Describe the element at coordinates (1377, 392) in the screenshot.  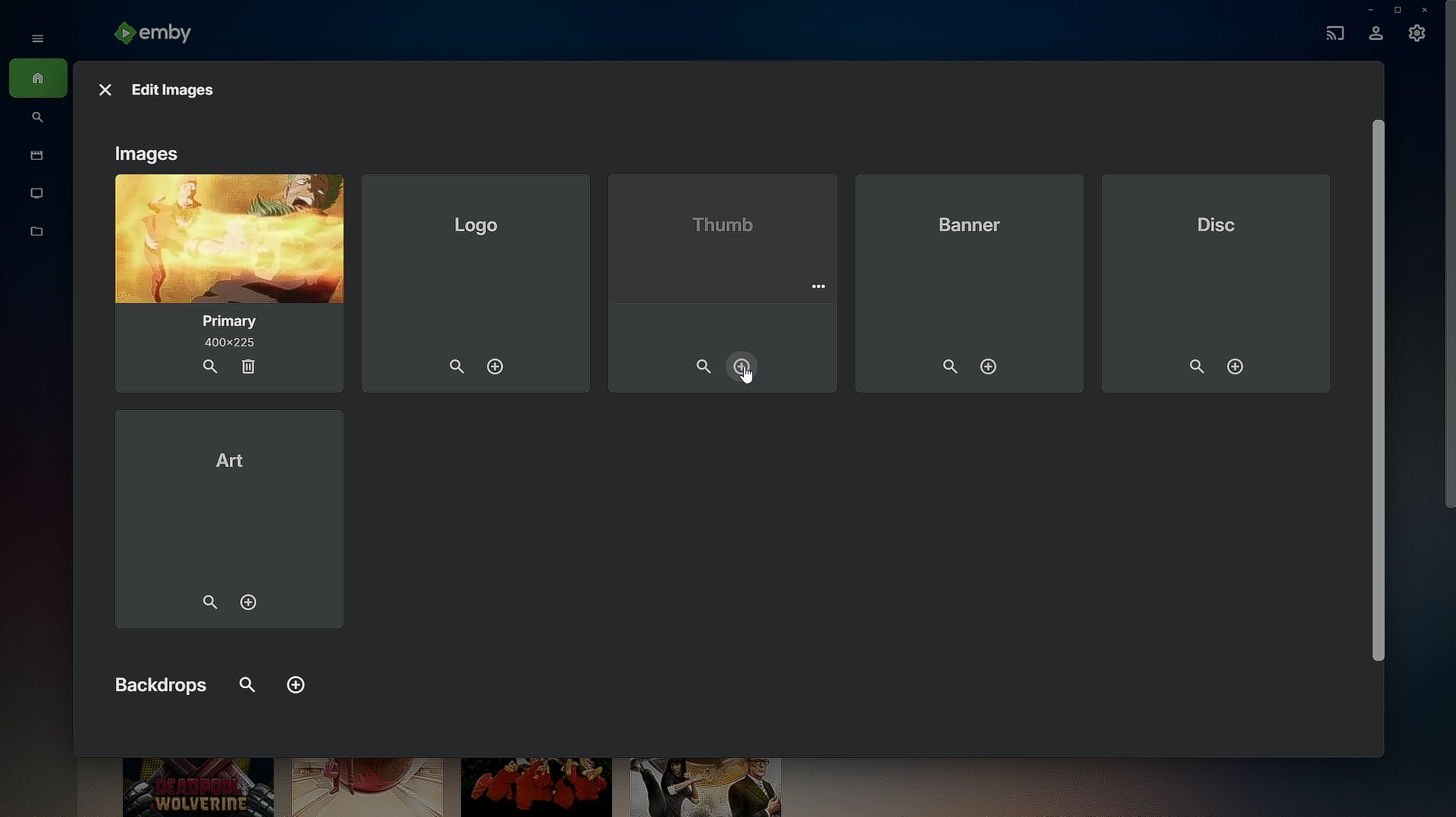
I see `` at that location.